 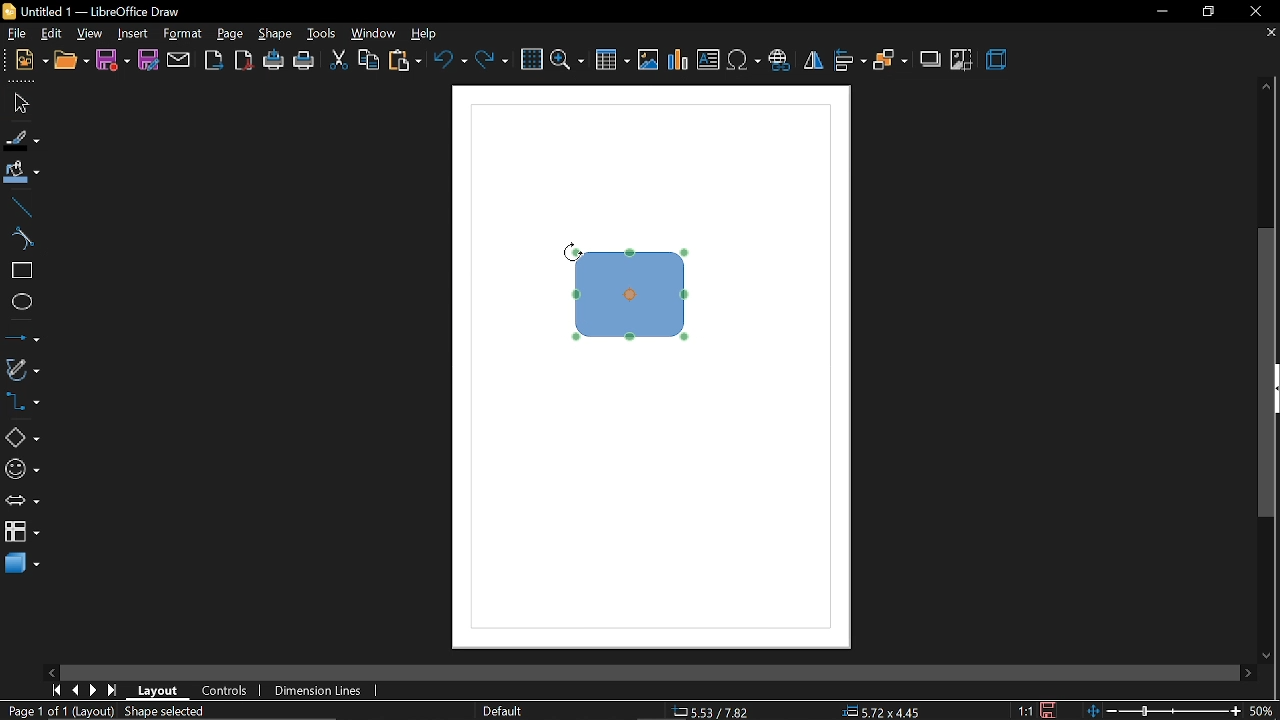 What do you see at coordinates (20, 304) in the screenshot?
I see `ellipse` at bounding box center [20, 304].